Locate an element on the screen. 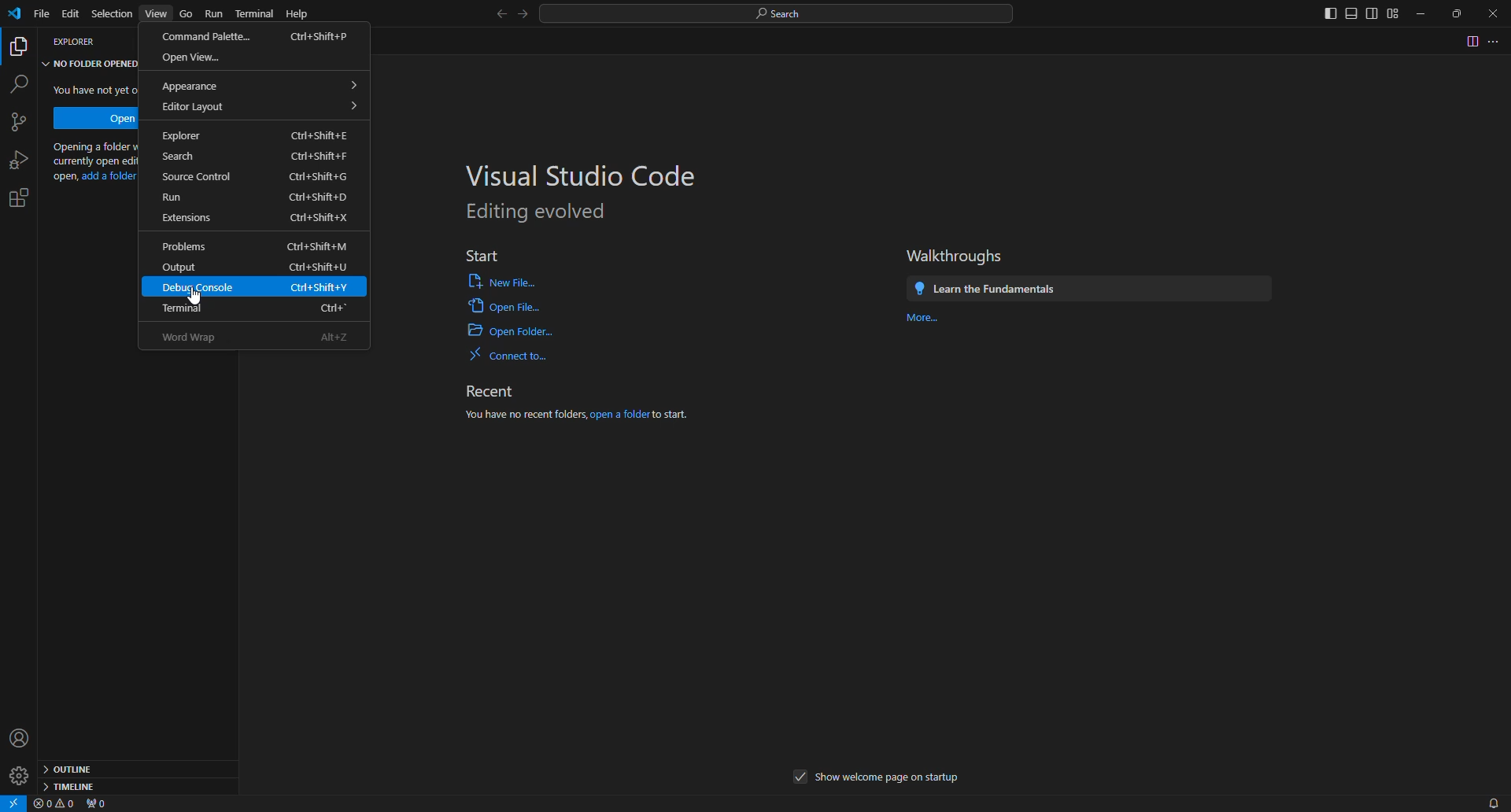  warnings is located at coordinates (53, 804).